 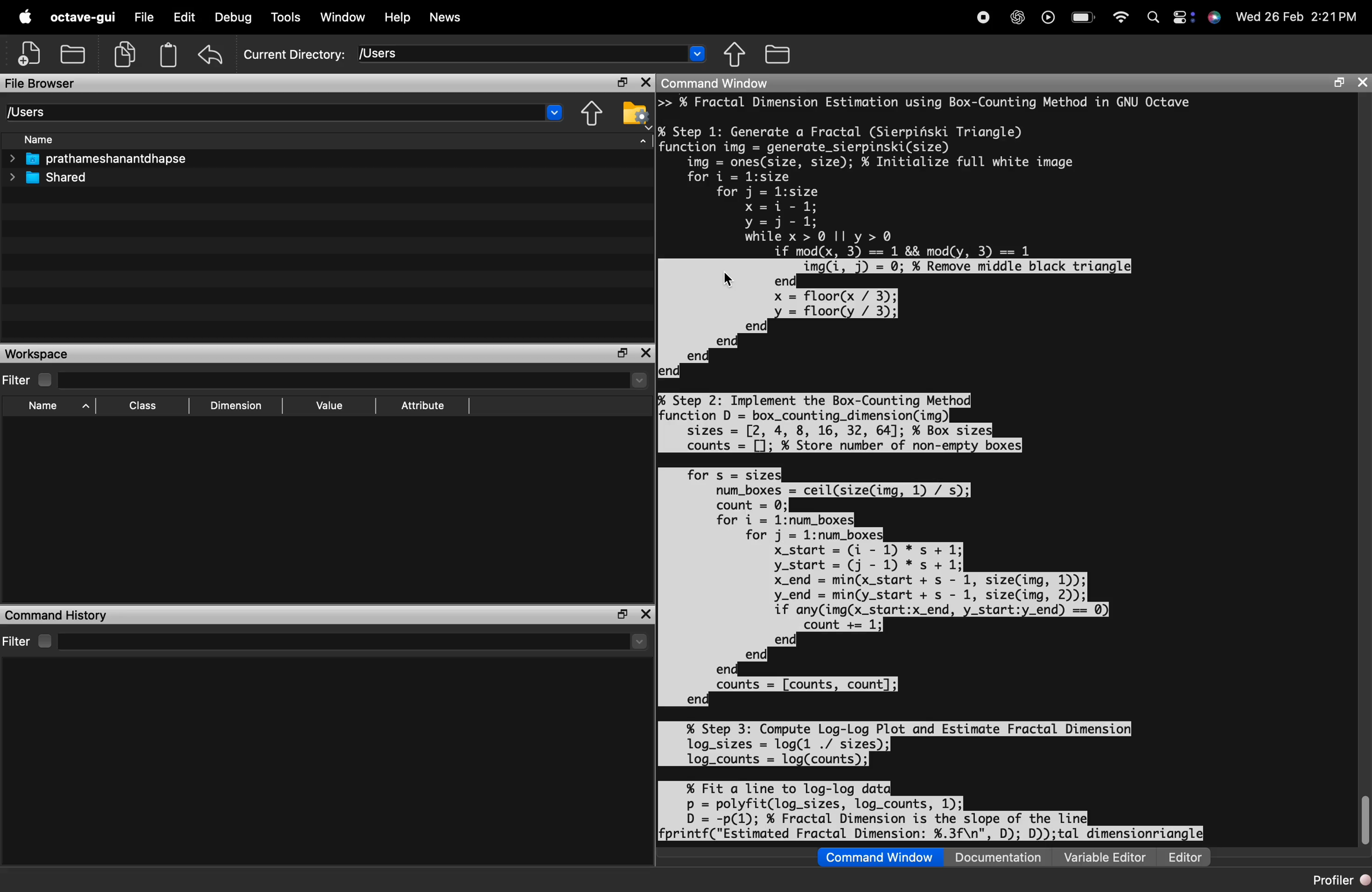 What do you see at coordinates (425, 404) in the screenshot?
I see `Attribute` at bounding box center [425, 404].